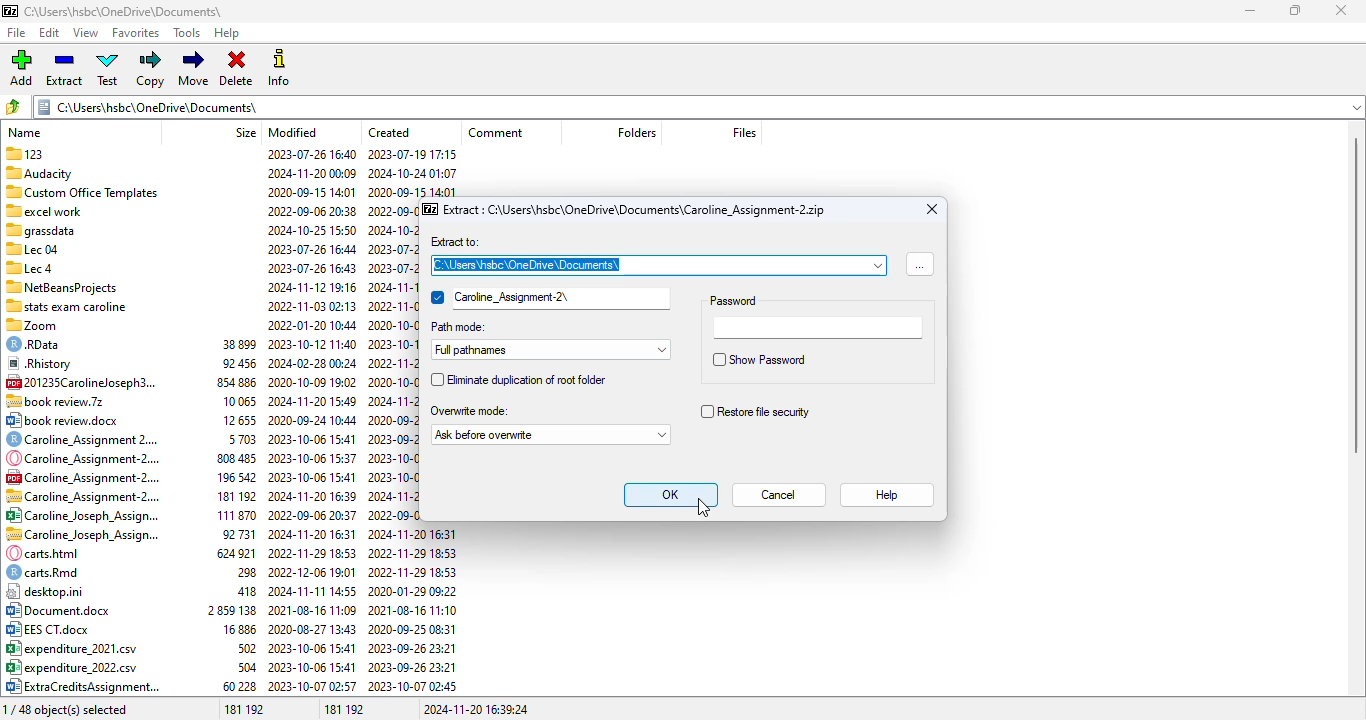 This screenshot has height=720, width=1366. What do you see at coordinates (152, 69) in the screenshot?
I see `copy` at bounding box center [152, 69].